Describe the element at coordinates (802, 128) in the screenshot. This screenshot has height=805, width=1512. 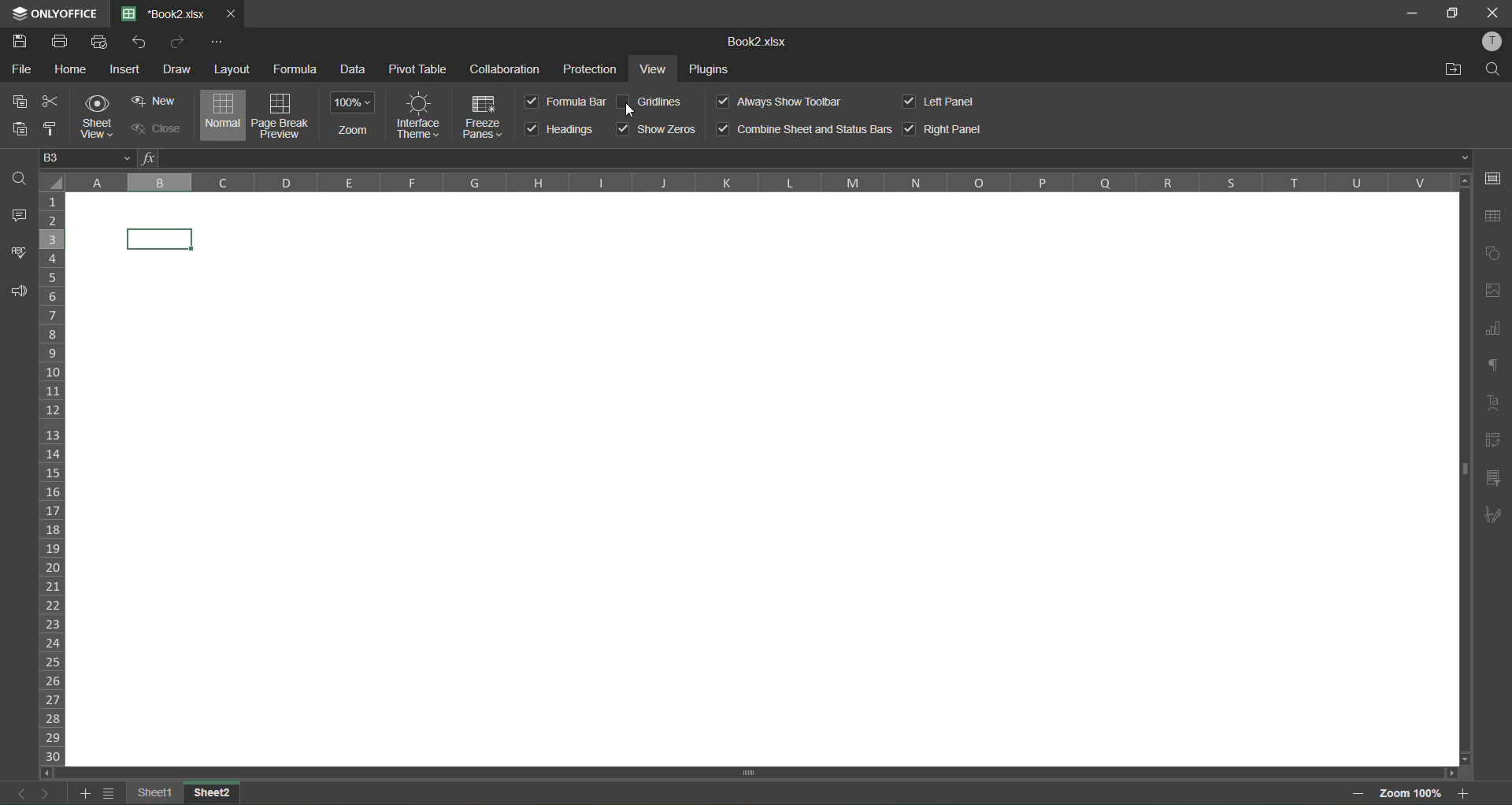
I see `combine sheet and status bars` at that location.